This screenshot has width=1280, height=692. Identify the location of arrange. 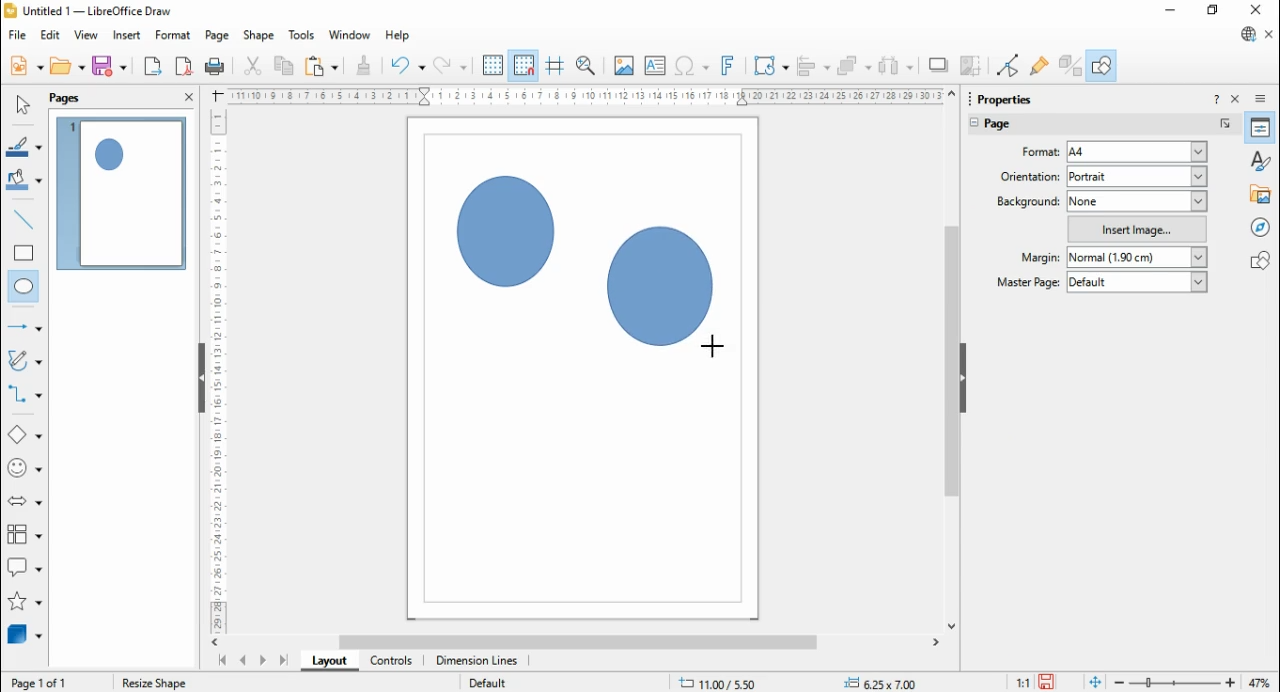
(855, 66).